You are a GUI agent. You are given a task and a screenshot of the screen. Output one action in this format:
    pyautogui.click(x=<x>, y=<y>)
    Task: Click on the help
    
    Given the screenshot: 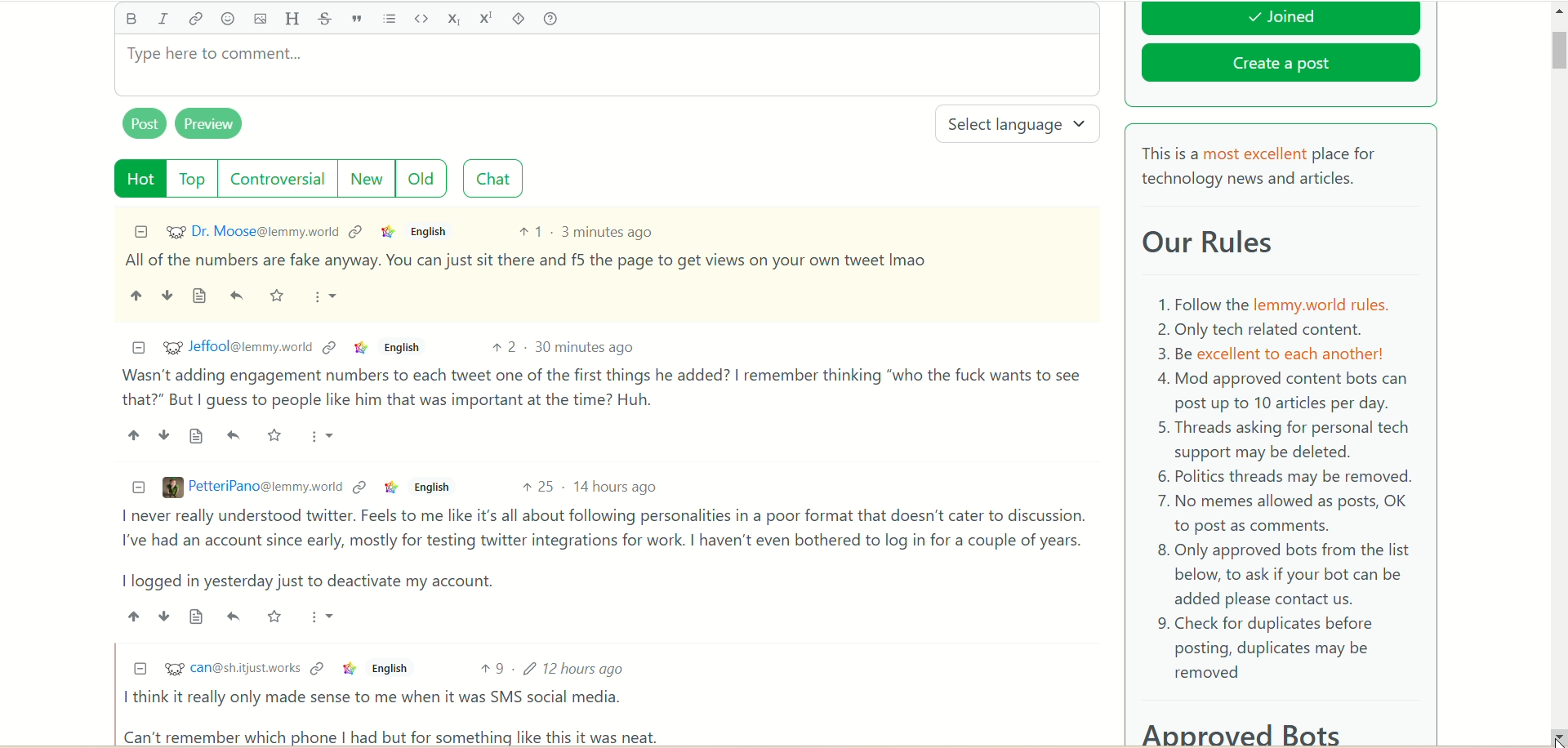 What is the action you would take?
    pyautogui.click(x=550, y=20)
    